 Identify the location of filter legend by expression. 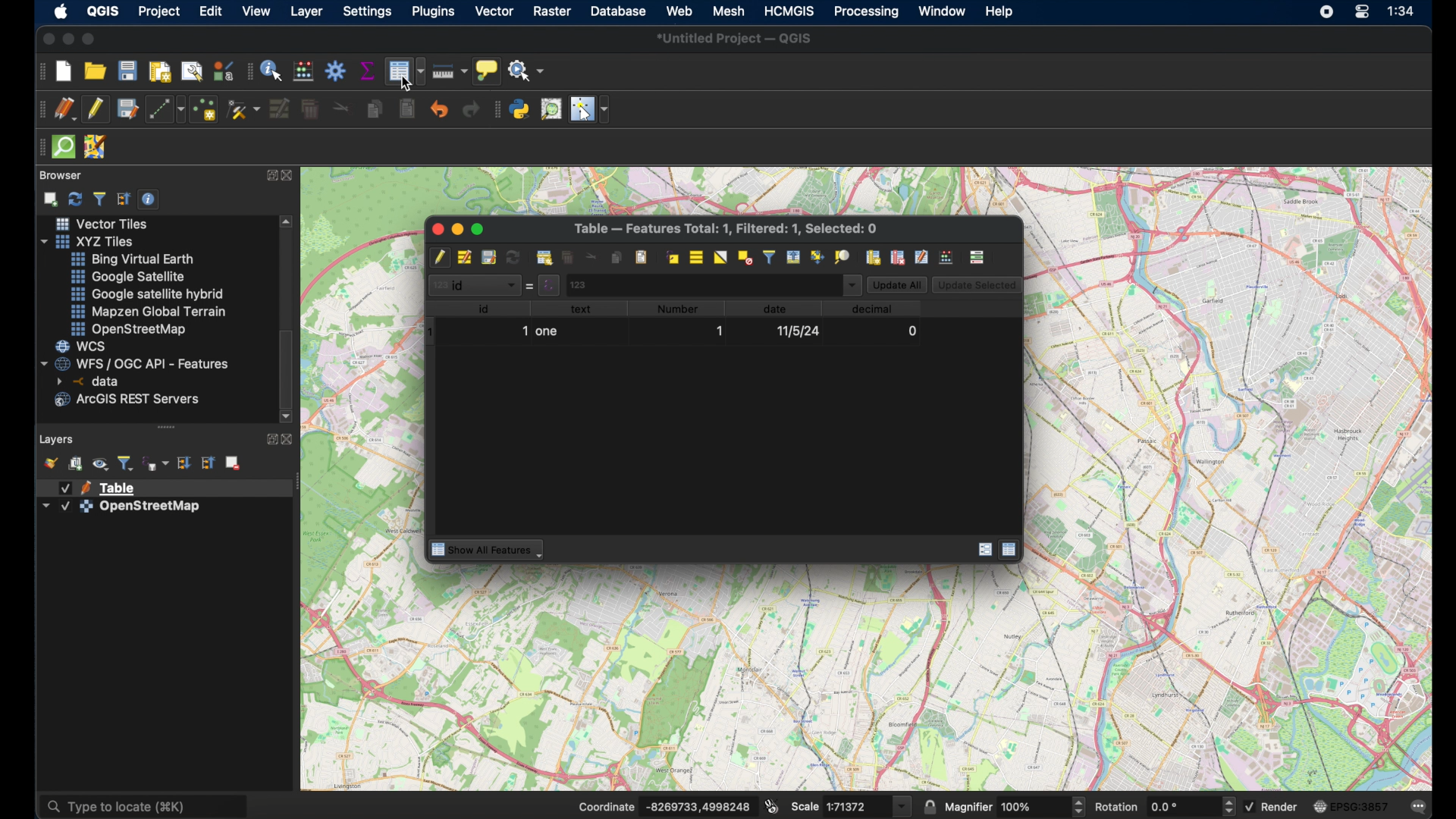
(157, 461).